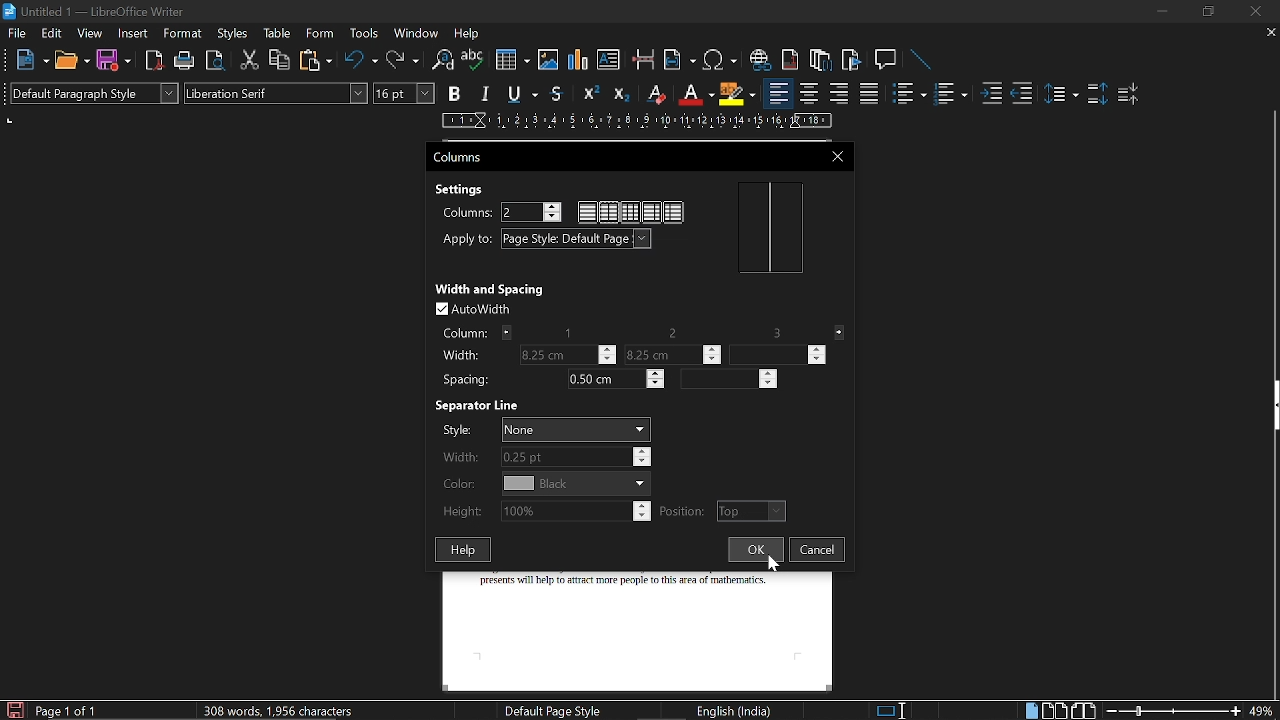  What do you see at coordinates (545, 429) in the screenshot?
I see `Style` at bounding box center [545, 429].